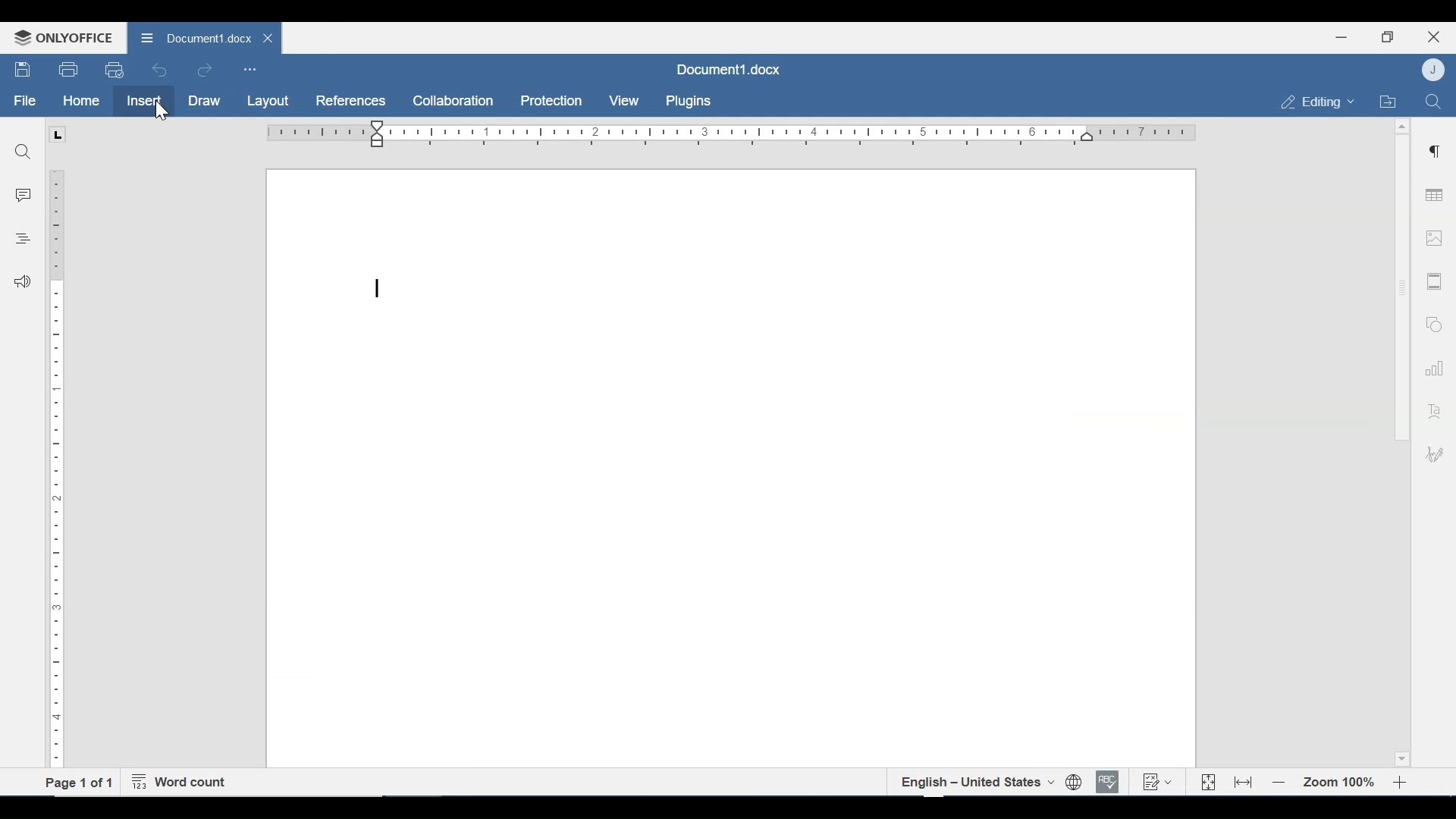 The width and height of the screenshot is (1456, 819). What do you see at coordinates (1340, 783) in the screenshot?
I see `Zoom 100%` at bounding box center [1340, 783].